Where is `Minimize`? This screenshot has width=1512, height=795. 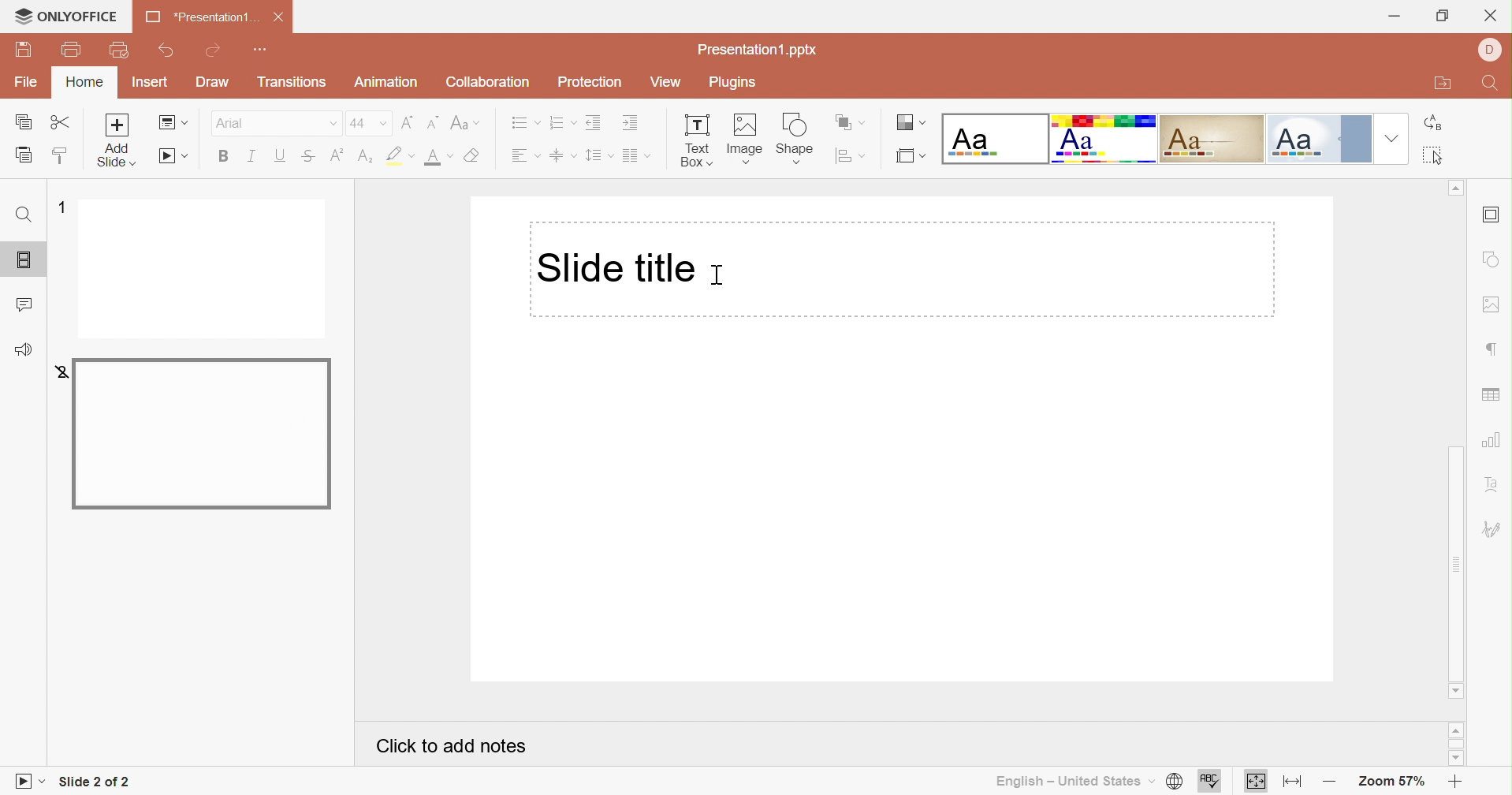
Minimize is located at coordinates (1396, 17).